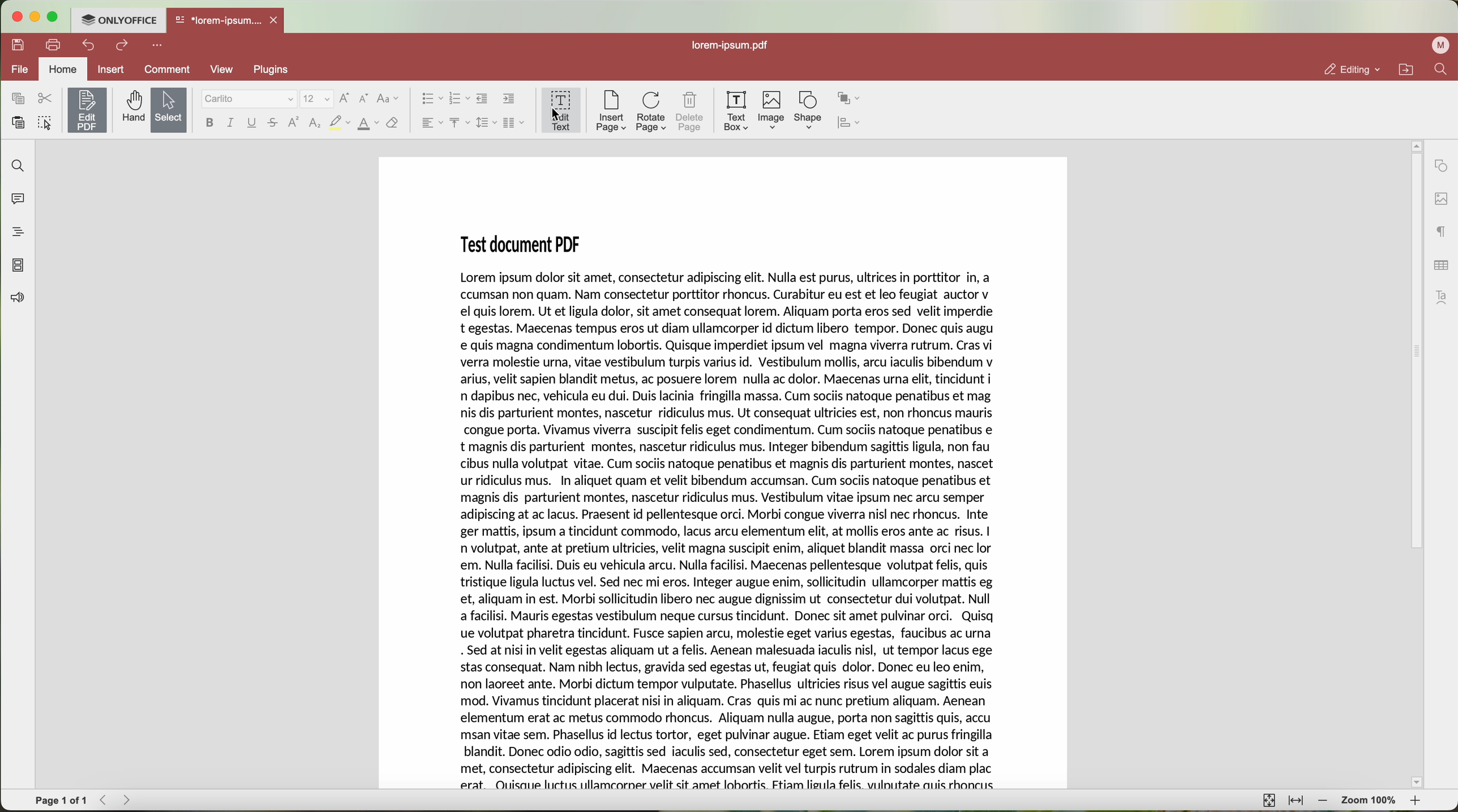 Image resolution: width=1458 pixels, height=812 pixels. What do you see at coordinates (18, 198) in the screenshot?
I see `comments` at bounding box center [18, 198].